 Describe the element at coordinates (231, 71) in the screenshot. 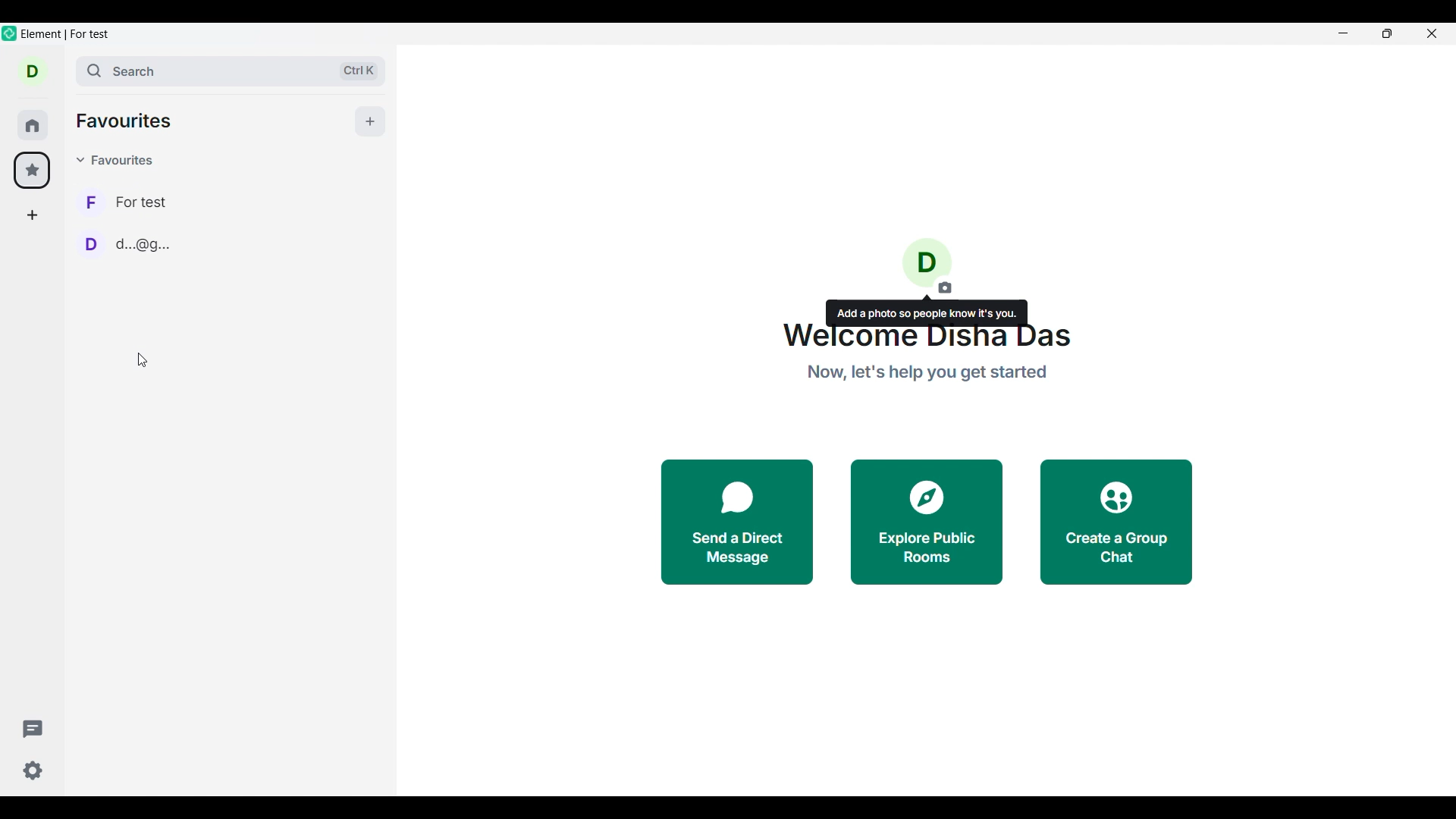

I see `Search box` at that location.